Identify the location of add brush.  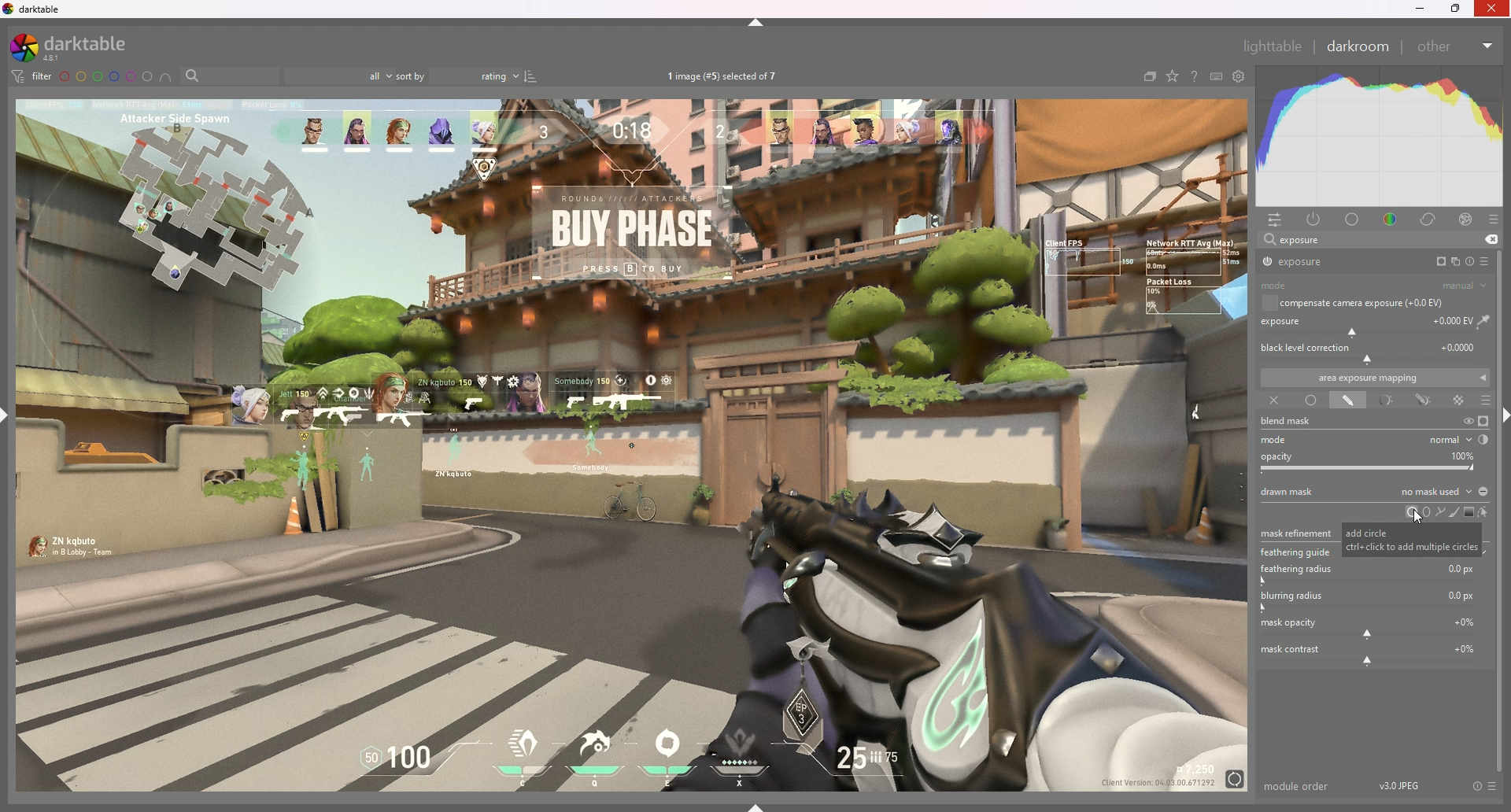
(1450, 512).